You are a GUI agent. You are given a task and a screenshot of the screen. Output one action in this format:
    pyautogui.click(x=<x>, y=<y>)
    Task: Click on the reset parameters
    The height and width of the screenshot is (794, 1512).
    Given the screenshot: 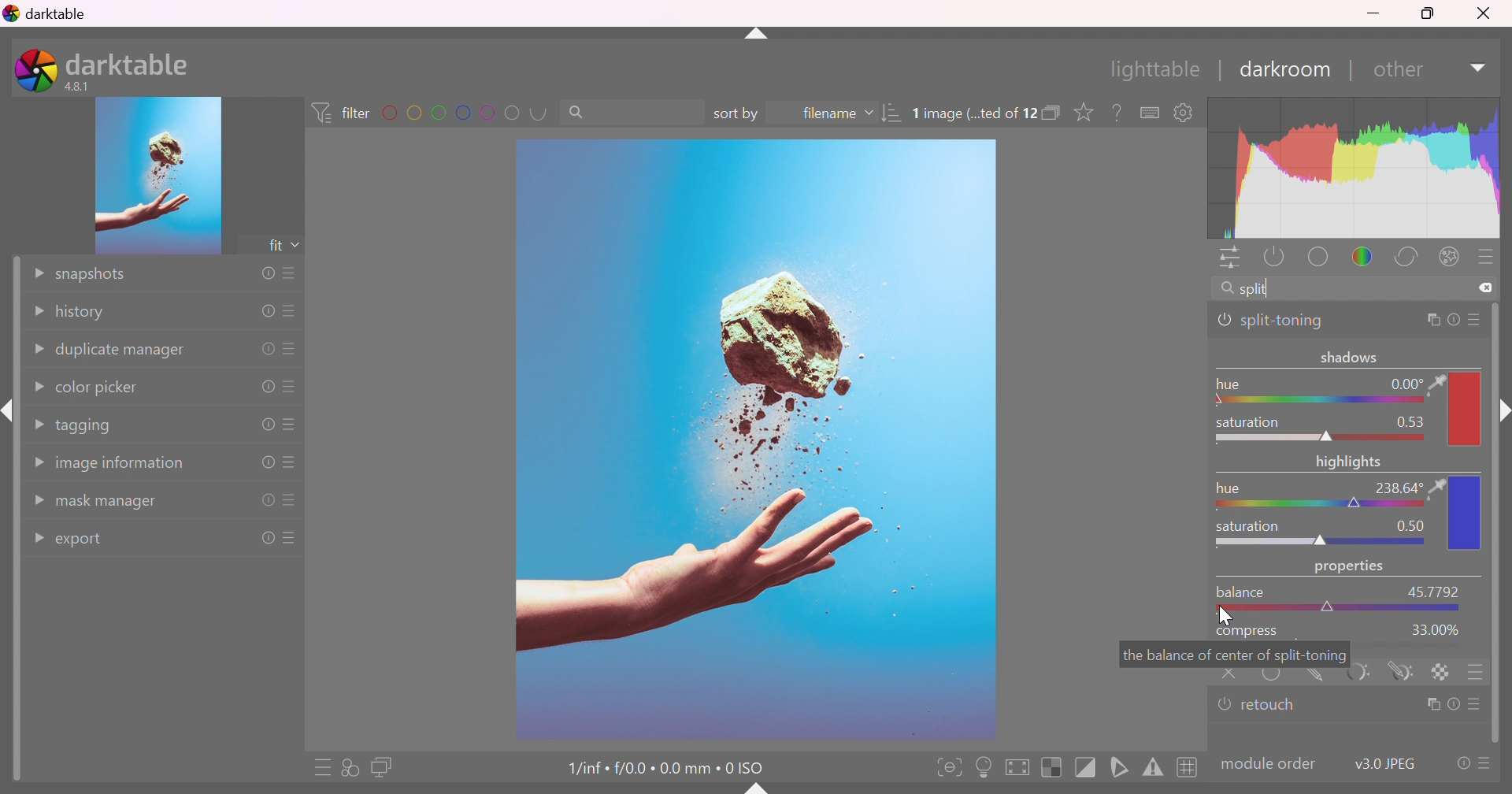 What is the action you would take?
    pyautogui.click(x=1455, y=706)
    